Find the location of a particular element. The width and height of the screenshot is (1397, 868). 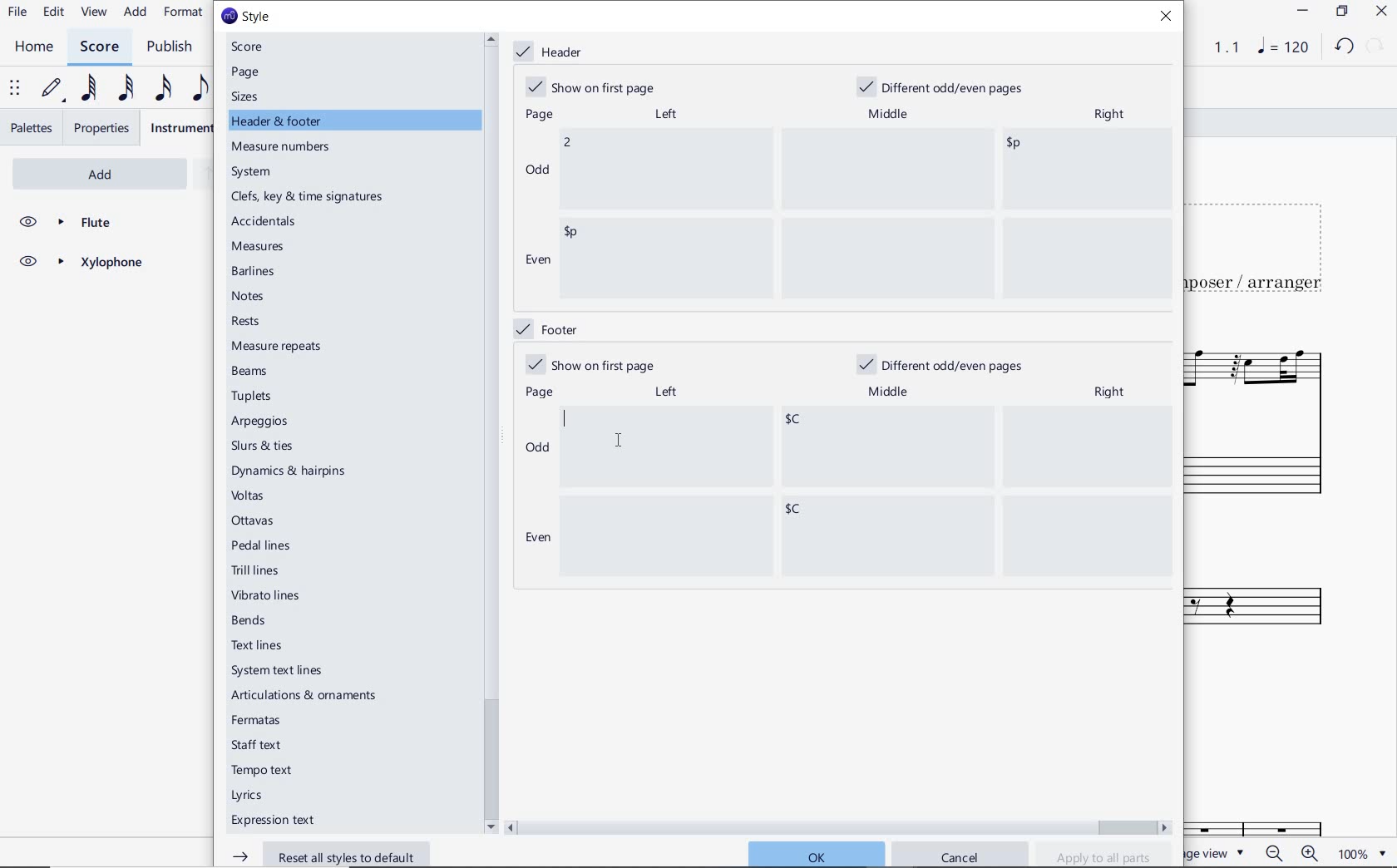

close is located at coordinates (1170, 18).